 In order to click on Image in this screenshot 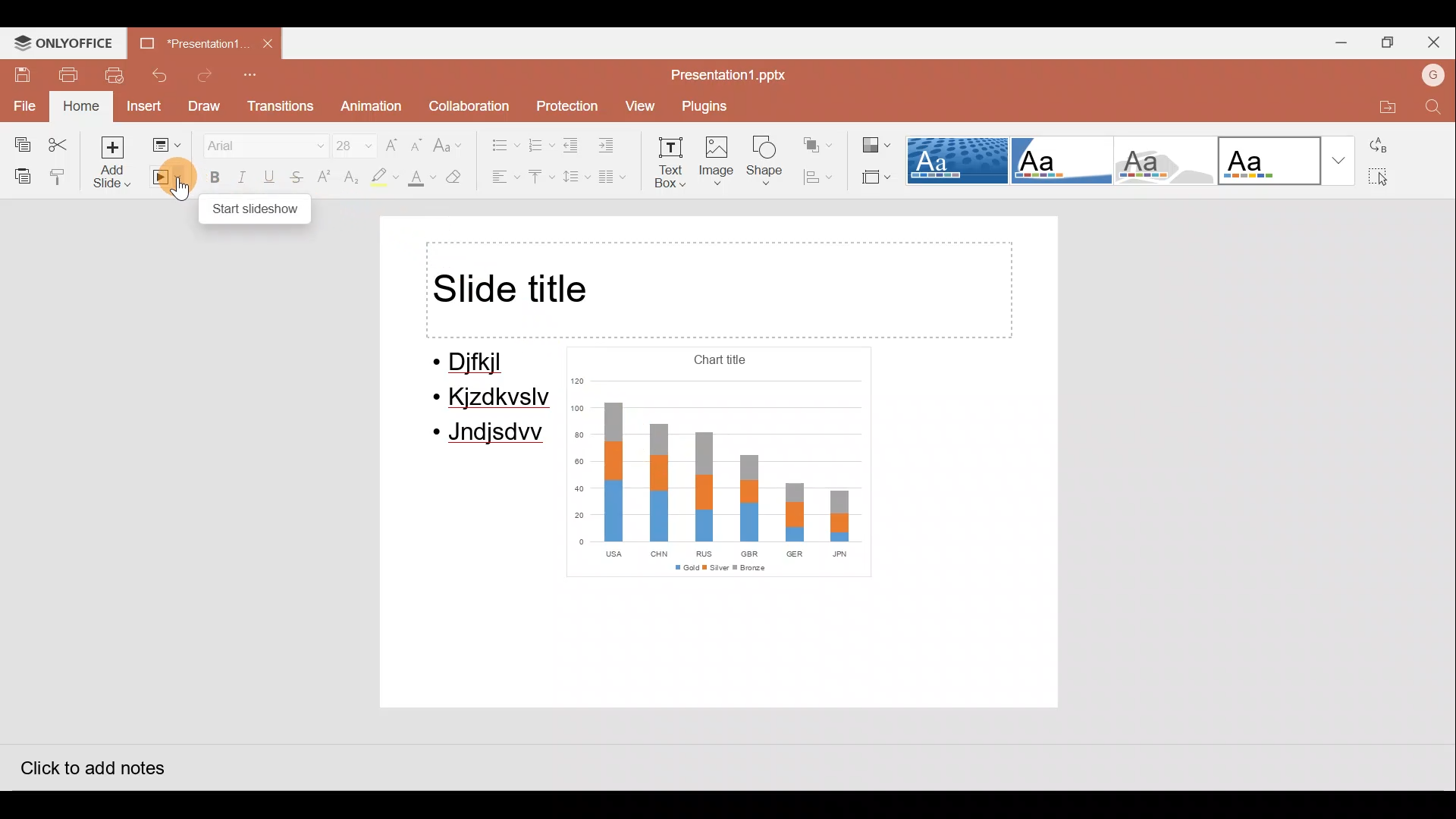, I will do `click(720, 162)`.